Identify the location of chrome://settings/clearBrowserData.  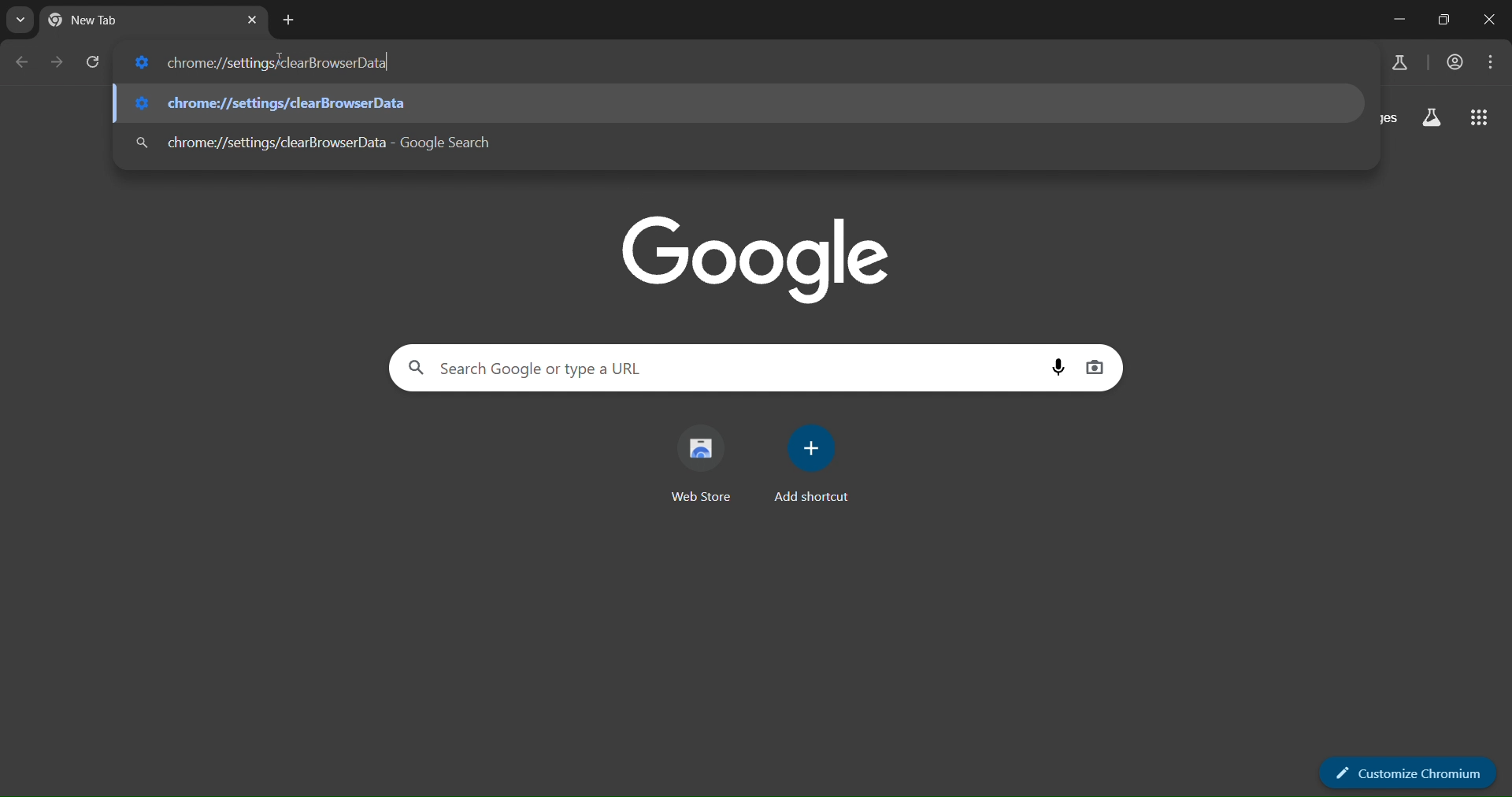
(747, 104).